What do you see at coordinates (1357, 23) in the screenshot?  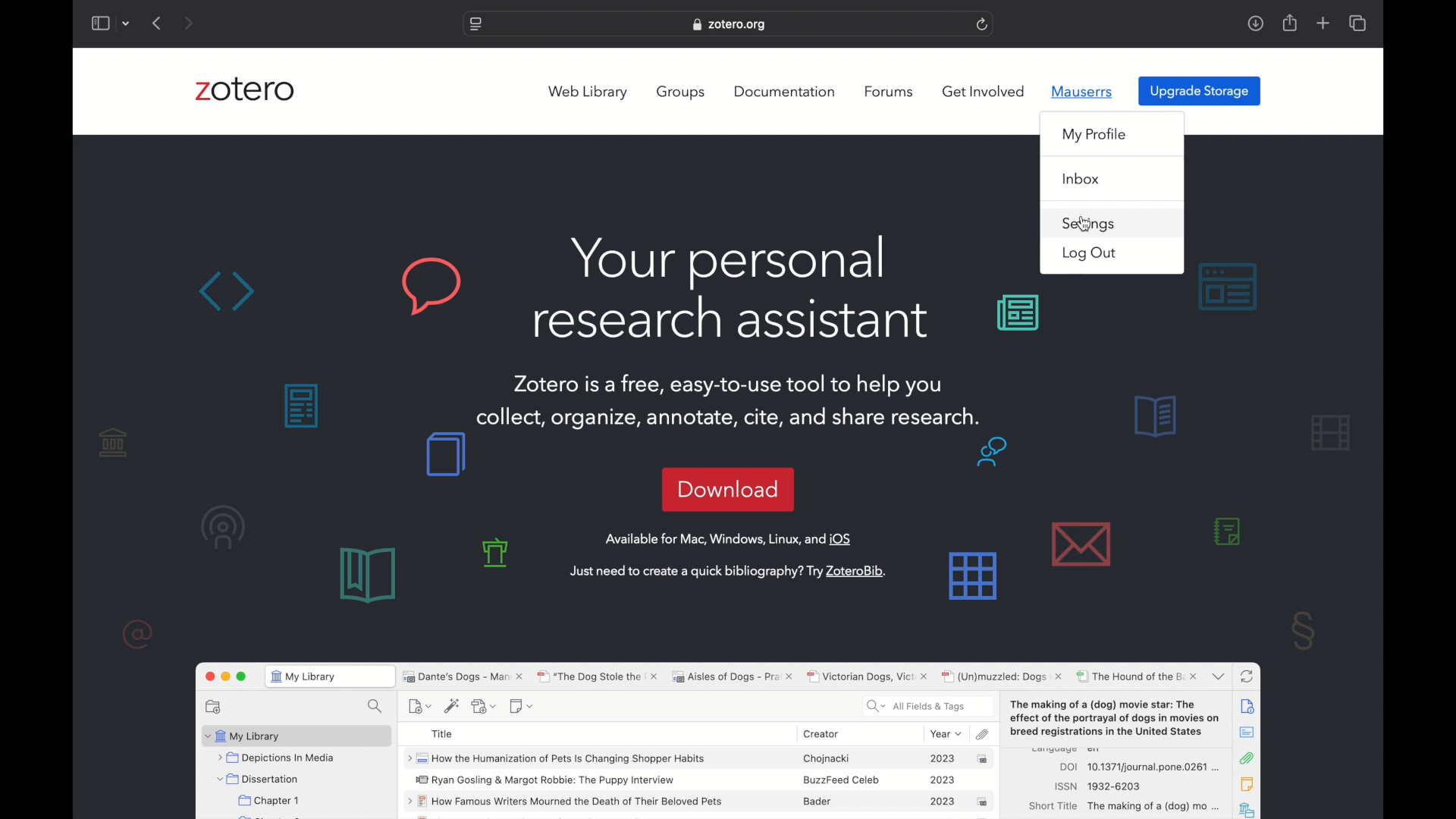 I see `show tab overview` at bounding box center [1357, 23].